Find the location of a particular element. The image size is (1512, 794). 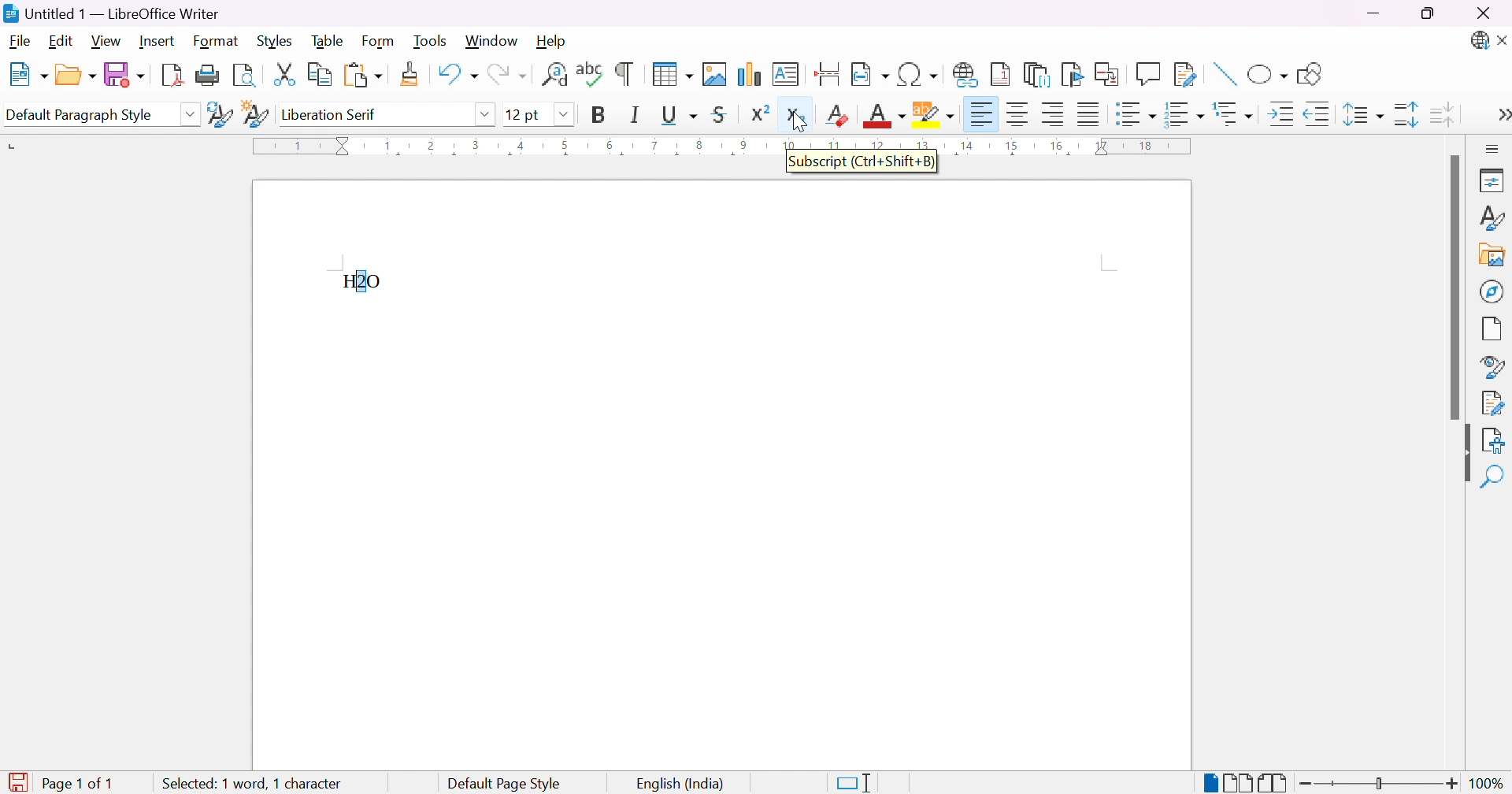

Manage check is located at coordinates (1493, 402).